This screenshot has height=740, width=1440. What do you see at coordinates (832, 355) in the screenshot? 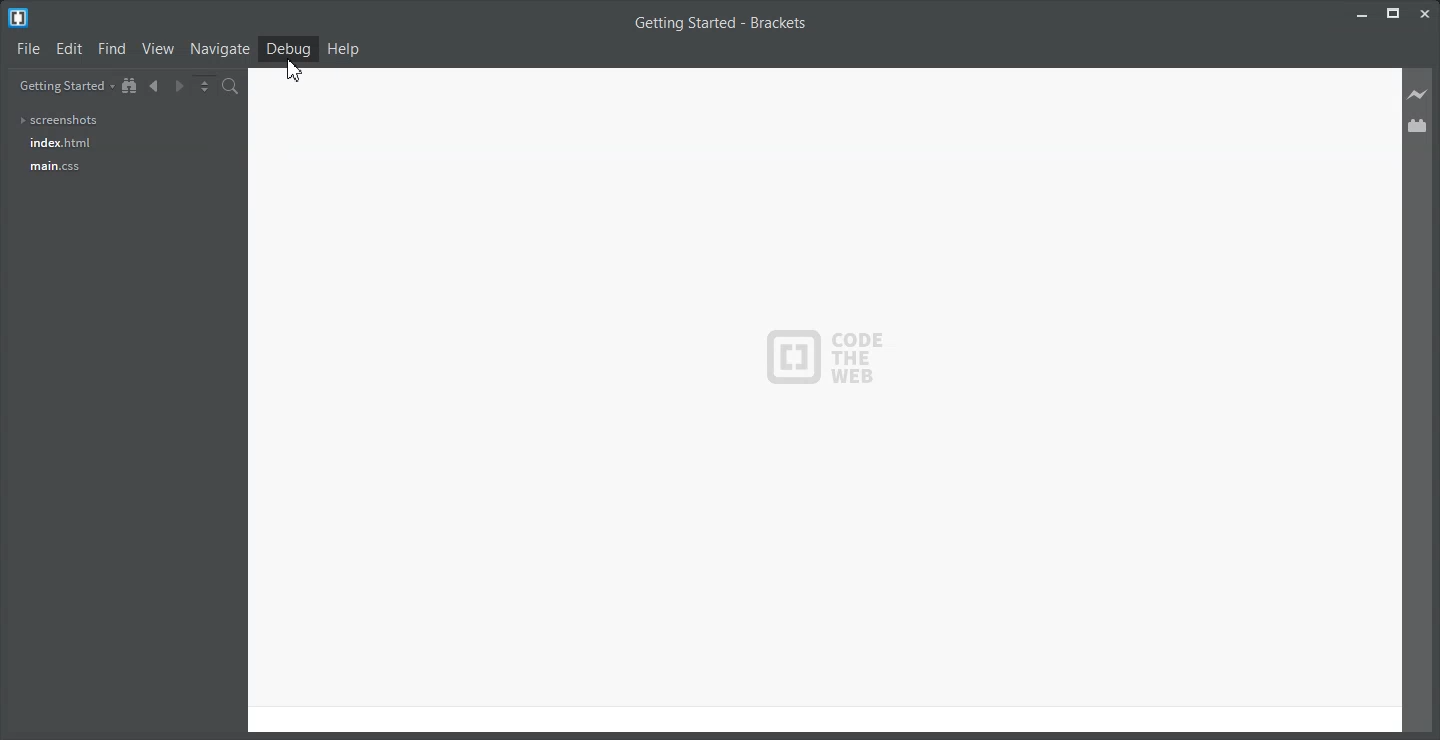
I see `Logo` at bounding box center [832, 355].